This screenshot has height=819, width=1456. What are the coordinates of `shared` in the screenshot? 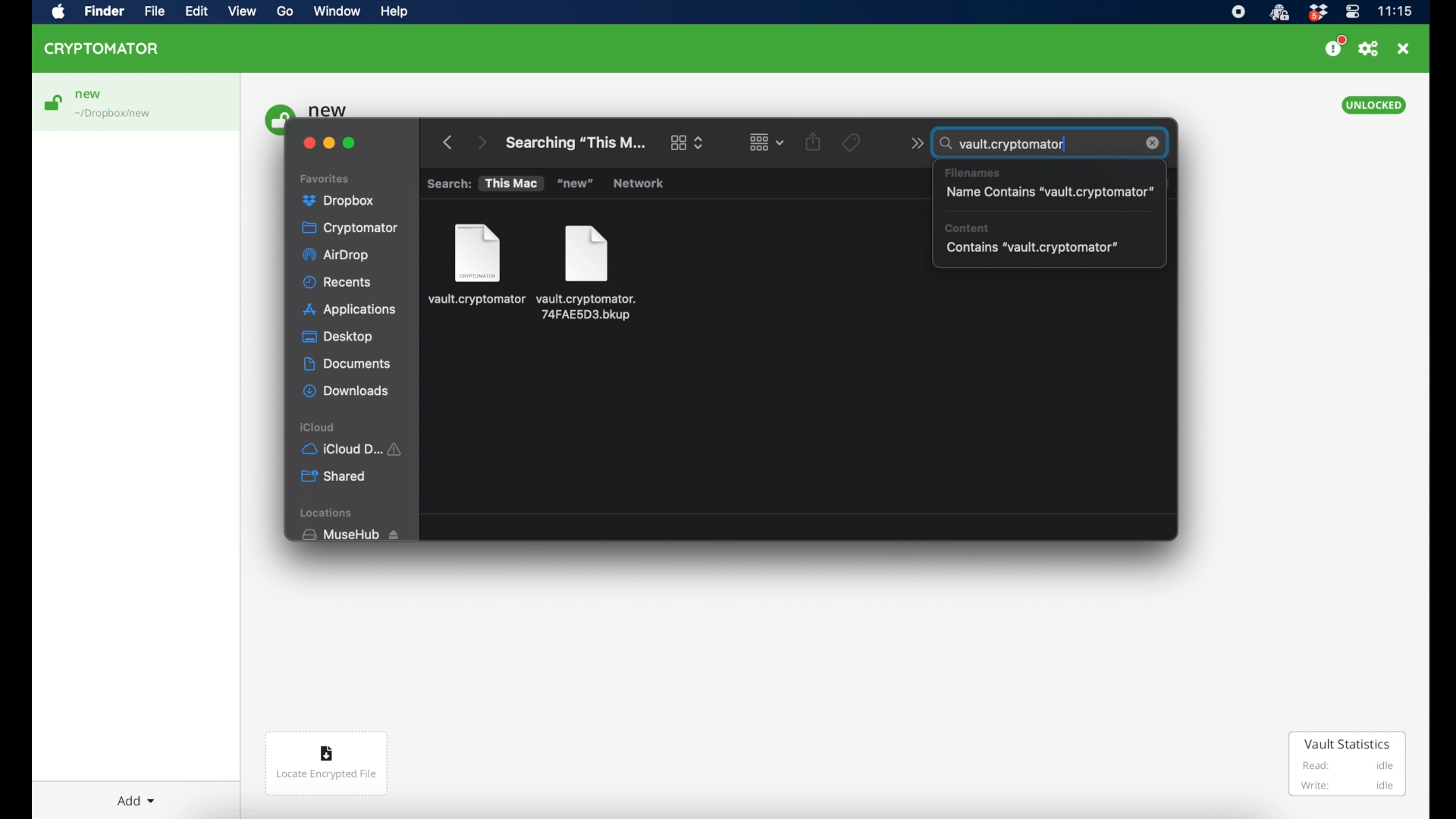 It's located at (334, 476).